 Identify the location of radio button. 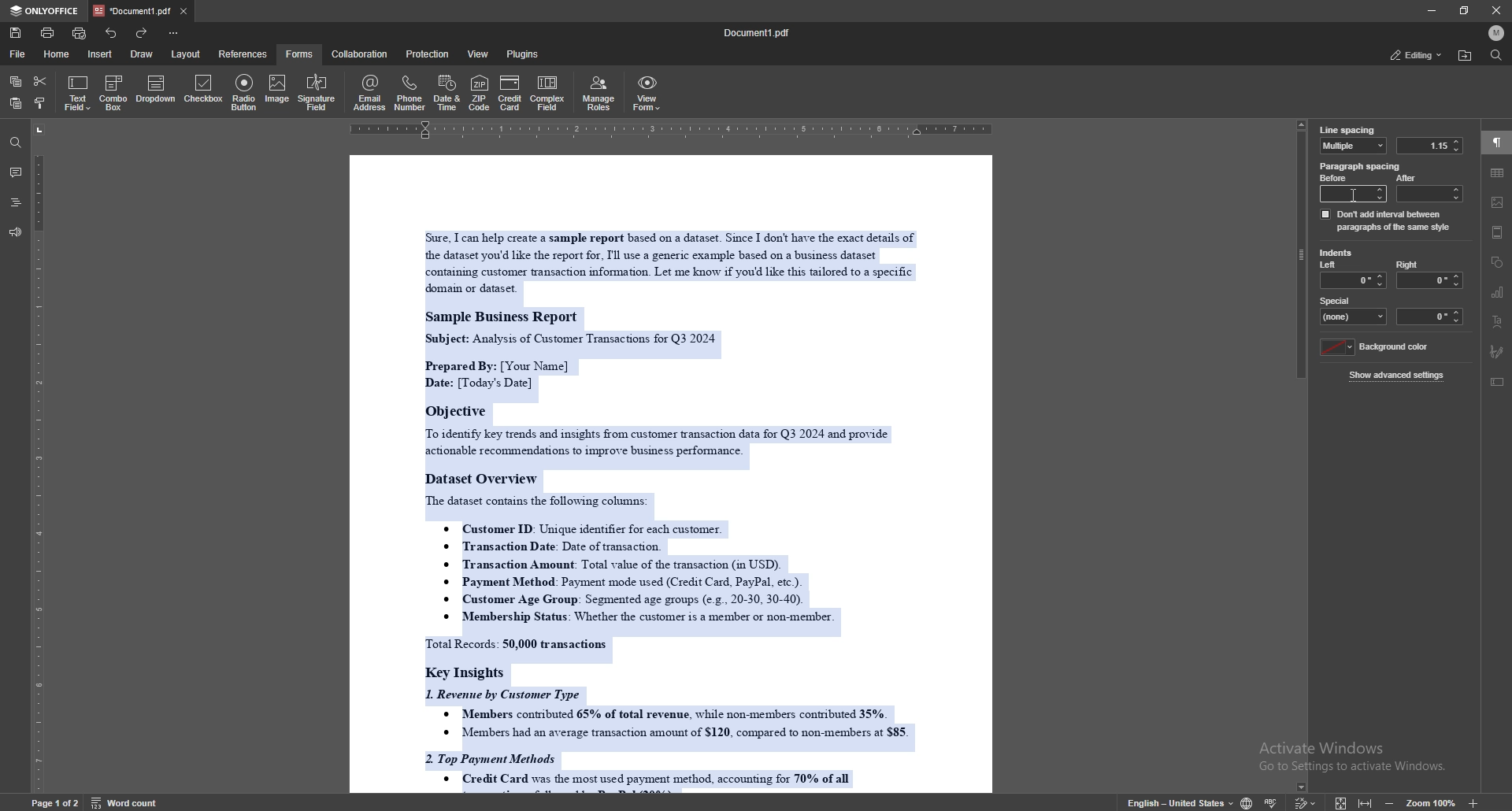
(246, 92).